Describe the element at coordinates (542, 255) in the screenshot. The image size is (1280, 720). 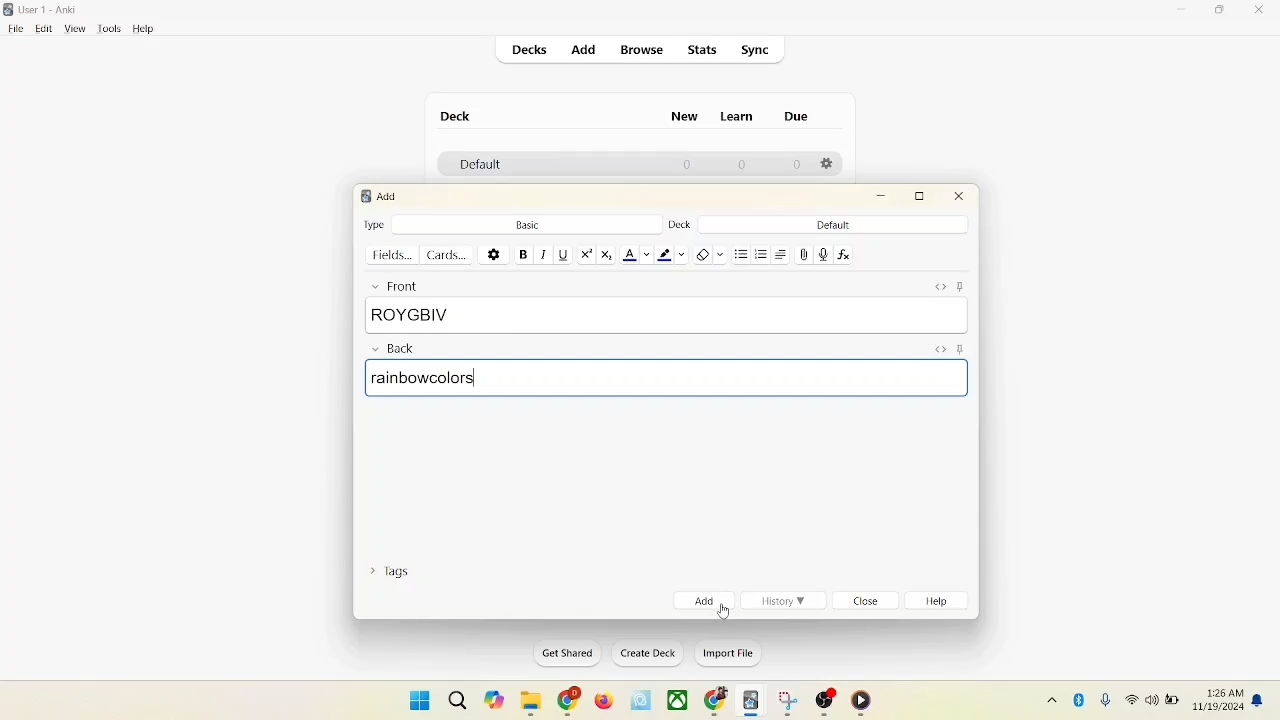
I see `italics` at that location.